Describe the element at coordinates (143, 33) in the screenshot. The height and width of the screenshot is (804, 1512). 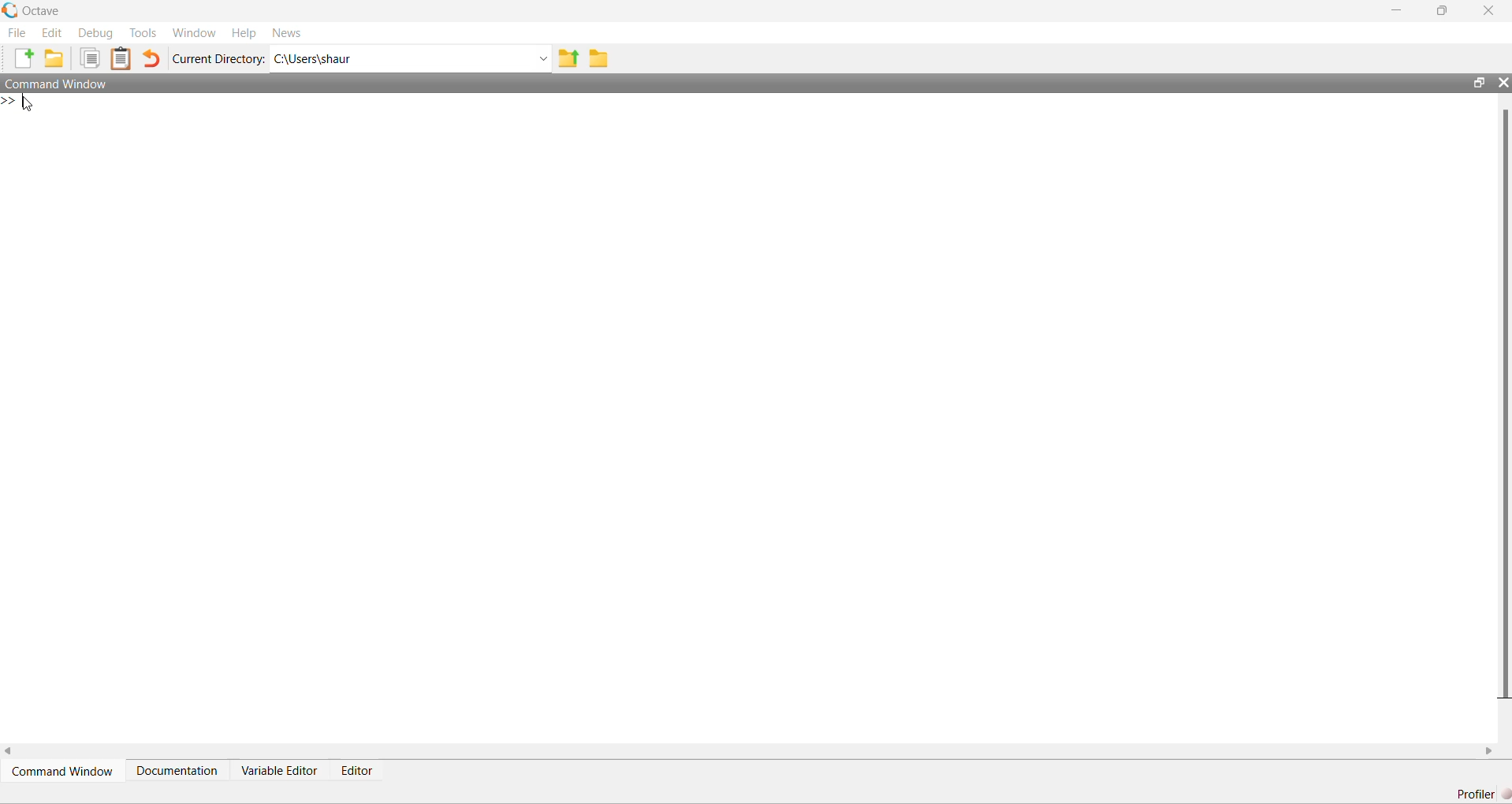
I see `Tools.` at that location.